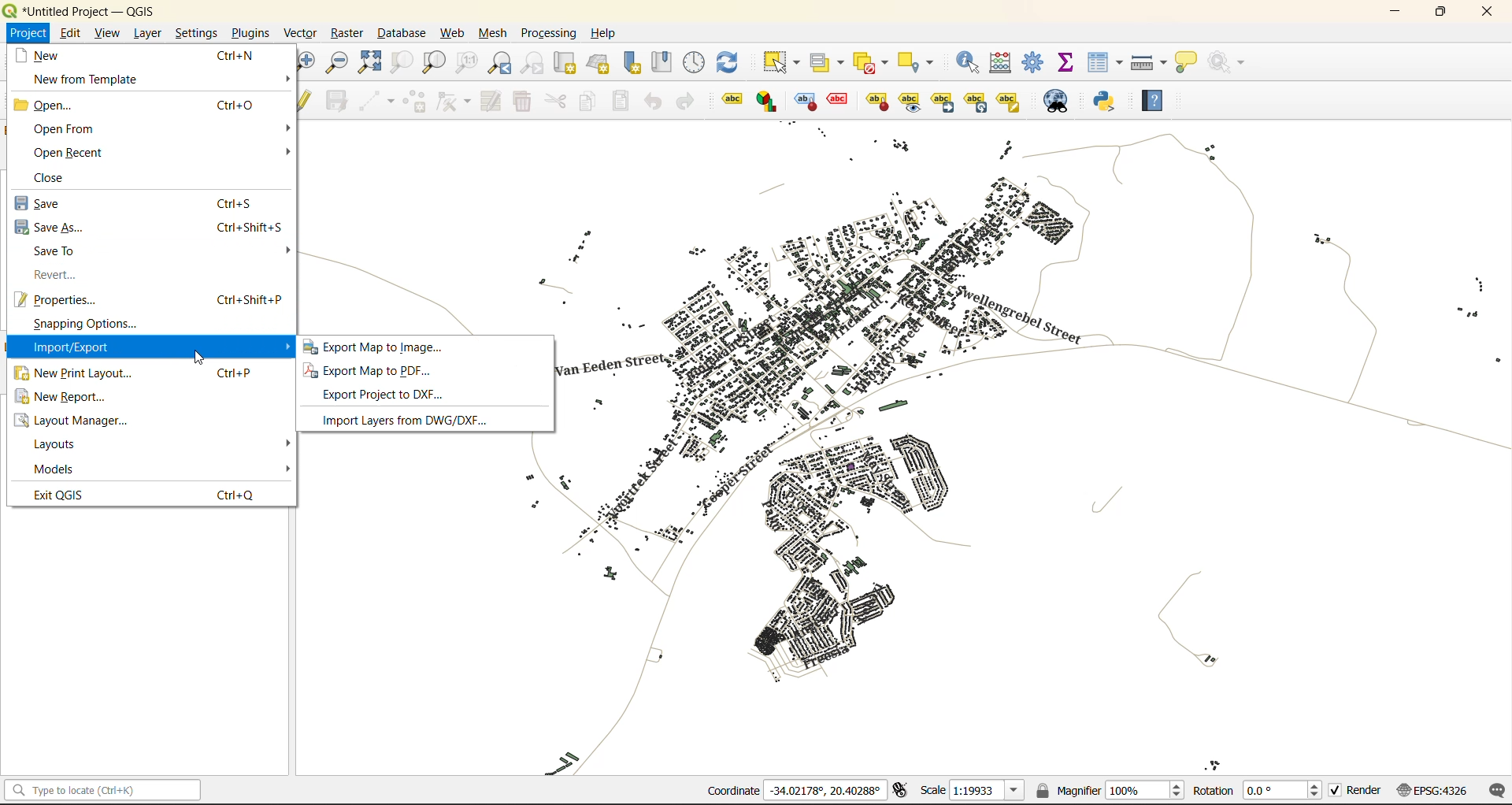 This screenshot has width=1512, height=805. Describe the element at coordinates (696, 63) in the screenshot. I see `control panel` at that location.